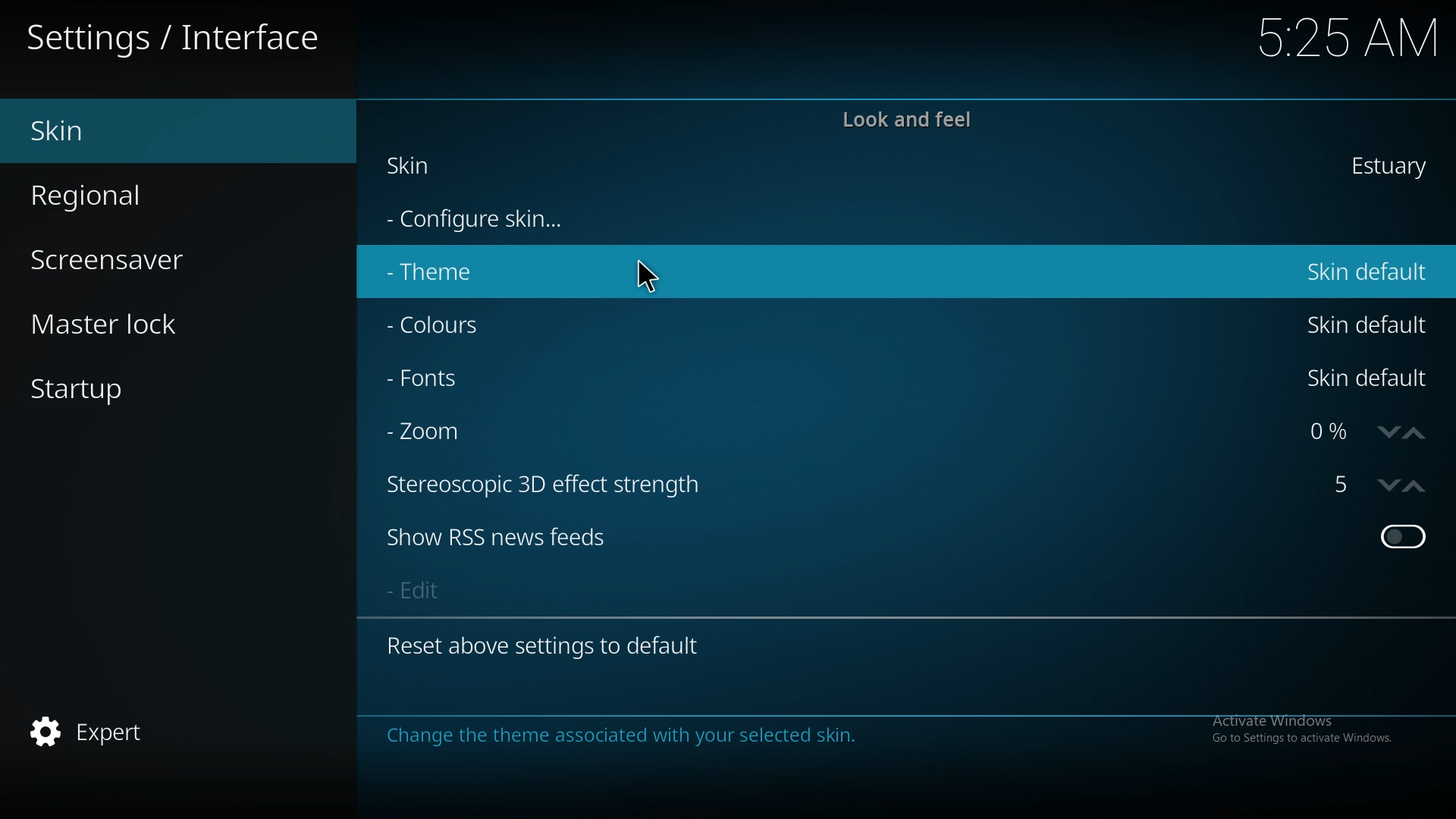 The width and height of the screenshot is (1456, 819). What do you see at coordinates (1386, 486) in the screenshot?
I see `decrease` at bounding box center [1386, 486].